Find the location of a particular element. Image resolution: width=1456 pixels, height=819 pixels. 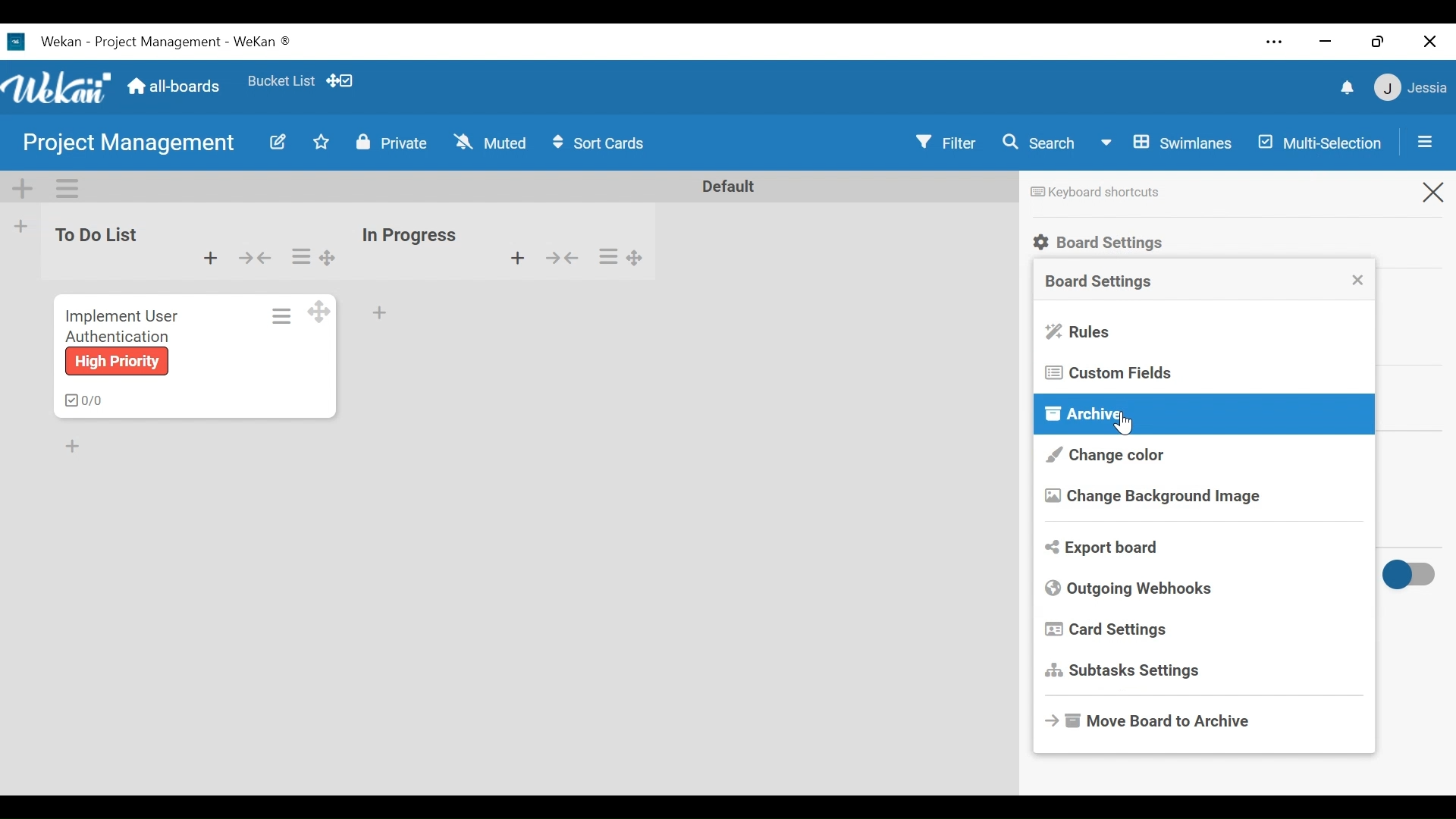

Custom Fields is located at coordinates (1112, 372).